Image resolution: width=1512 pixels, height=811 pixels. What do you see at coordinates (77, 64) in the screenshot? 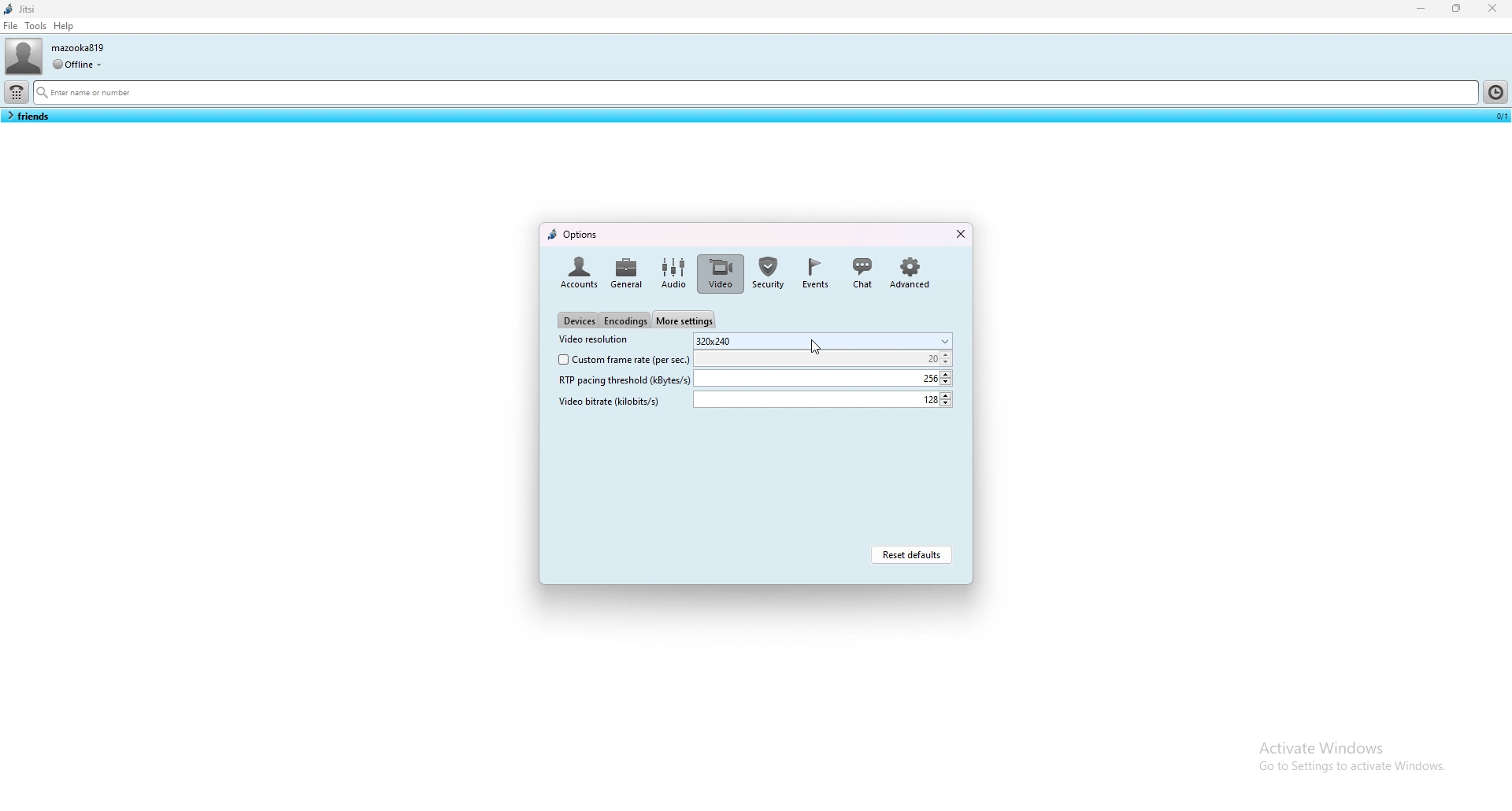
I see `user status` at bounding box center [77, 64].